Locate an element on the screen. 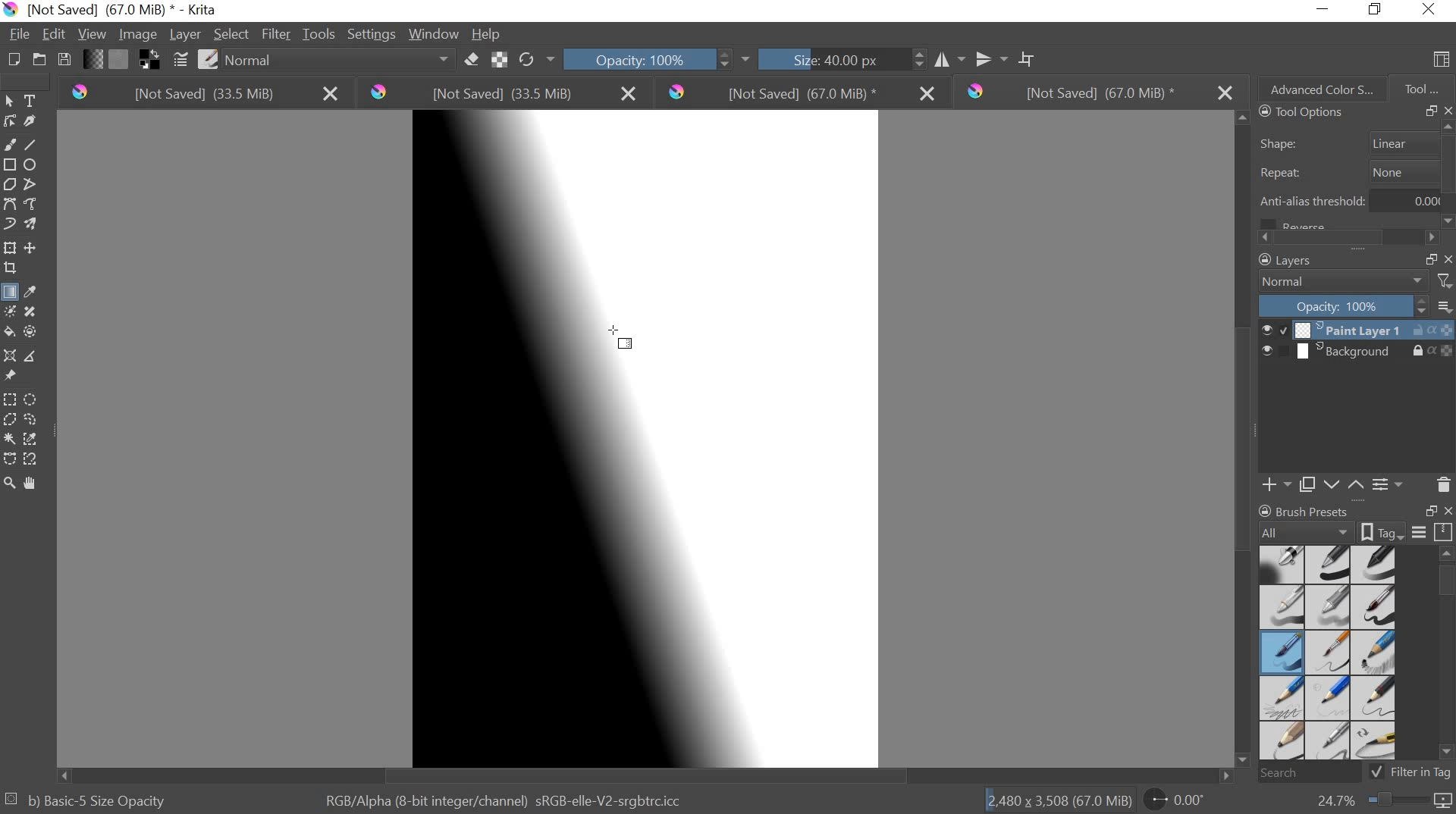 Image resolution: width=1456 pixels, height=814 pixels. WINDOW is located at coordinates (433, 35).